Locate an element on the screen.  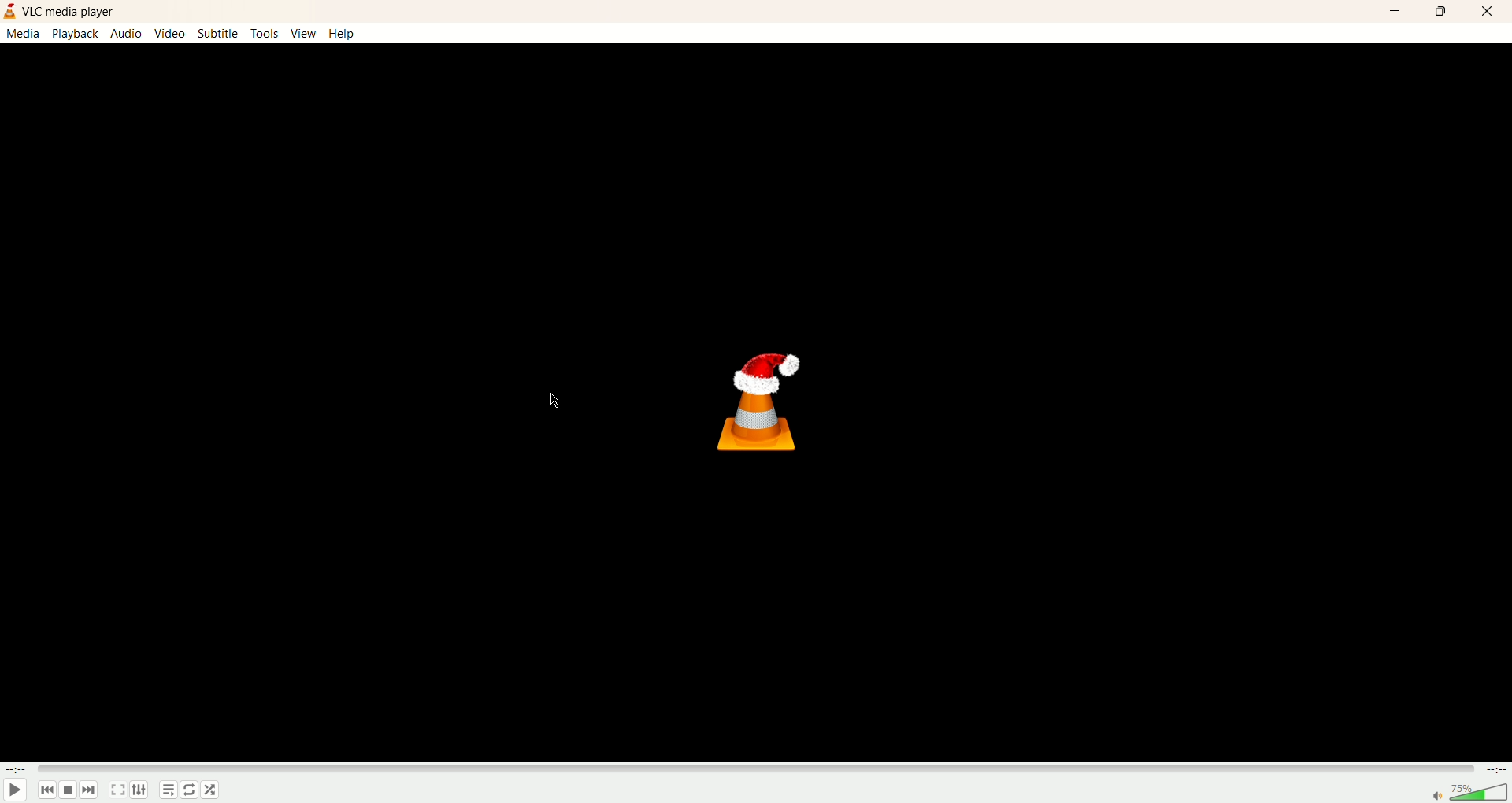
icon is located at coordinates (769, 402).